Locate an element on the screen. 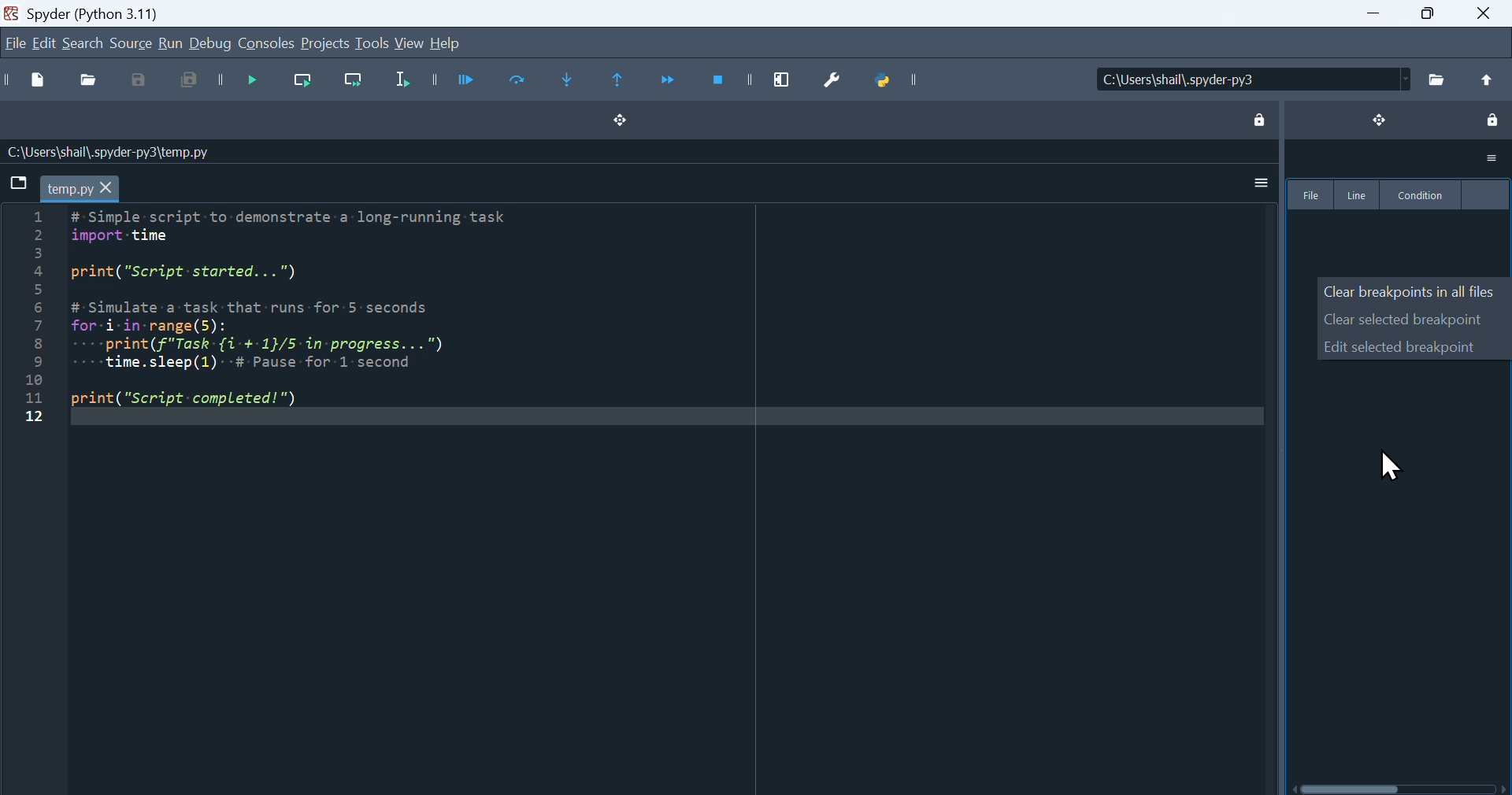  Open file is located at coordinates (94, 79).